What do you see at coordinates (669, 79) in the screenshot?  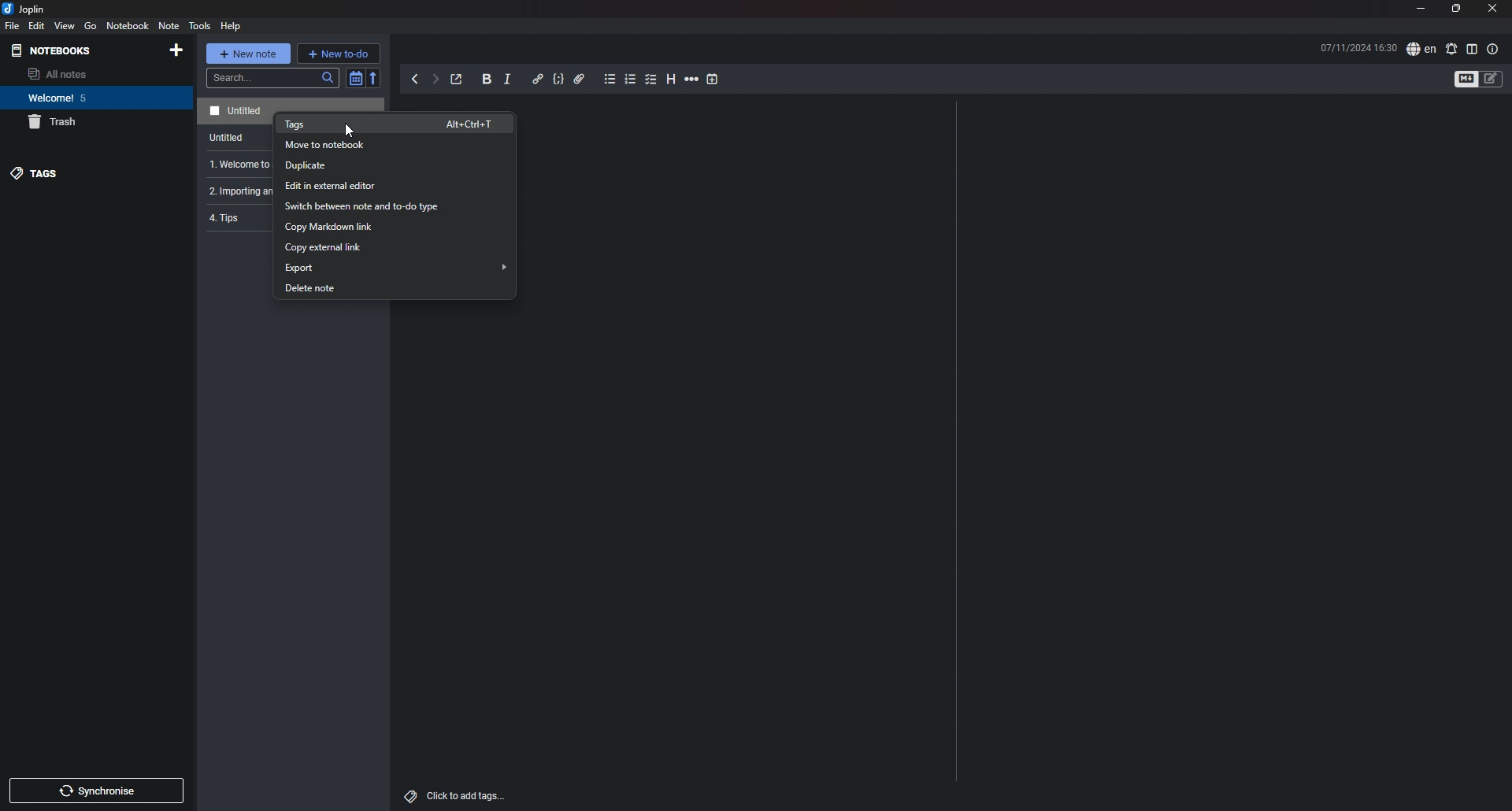 I see `heading` at bounding box center [669, 79].